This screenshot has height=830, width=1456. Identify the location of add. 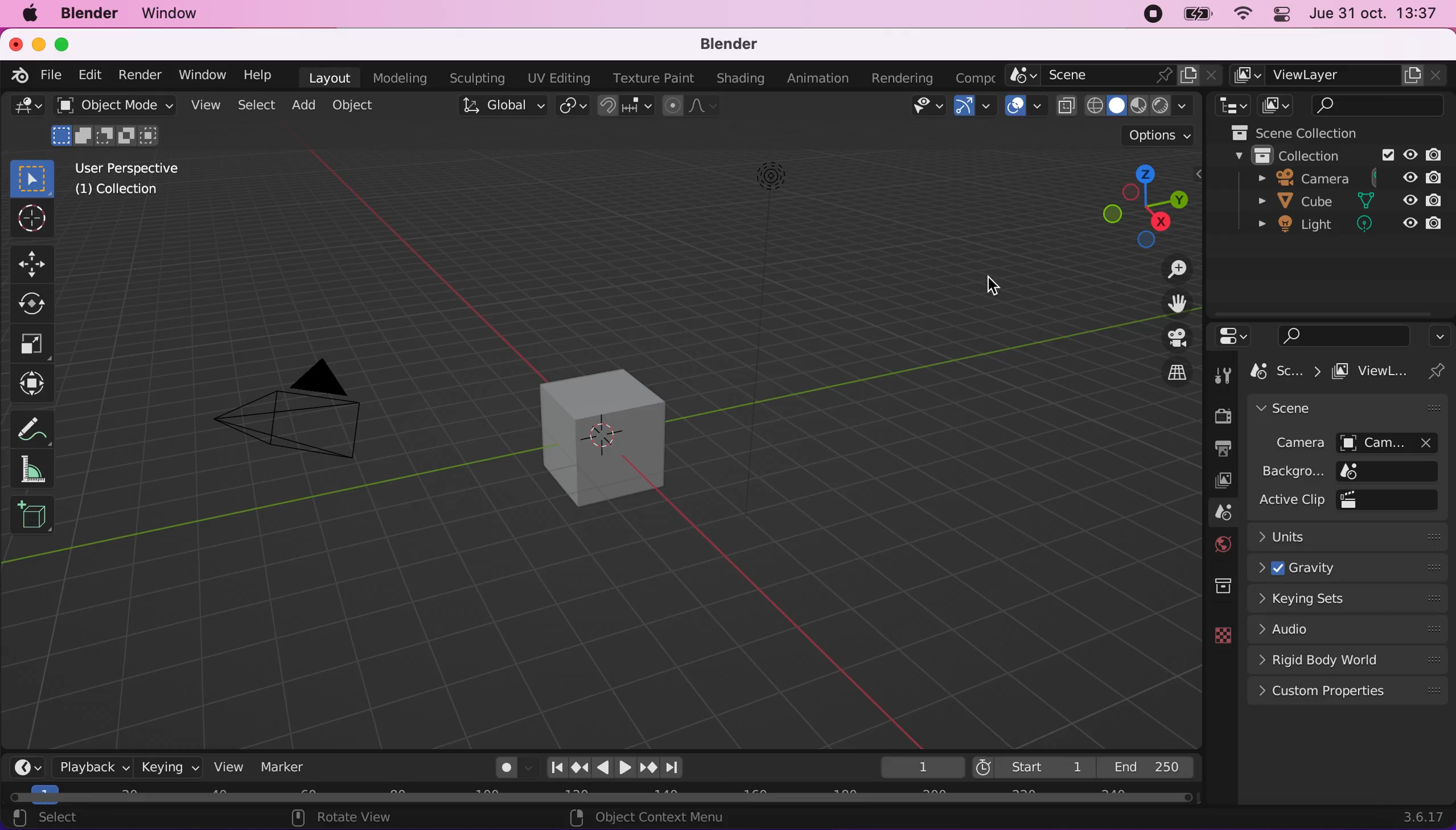
(301, 107).